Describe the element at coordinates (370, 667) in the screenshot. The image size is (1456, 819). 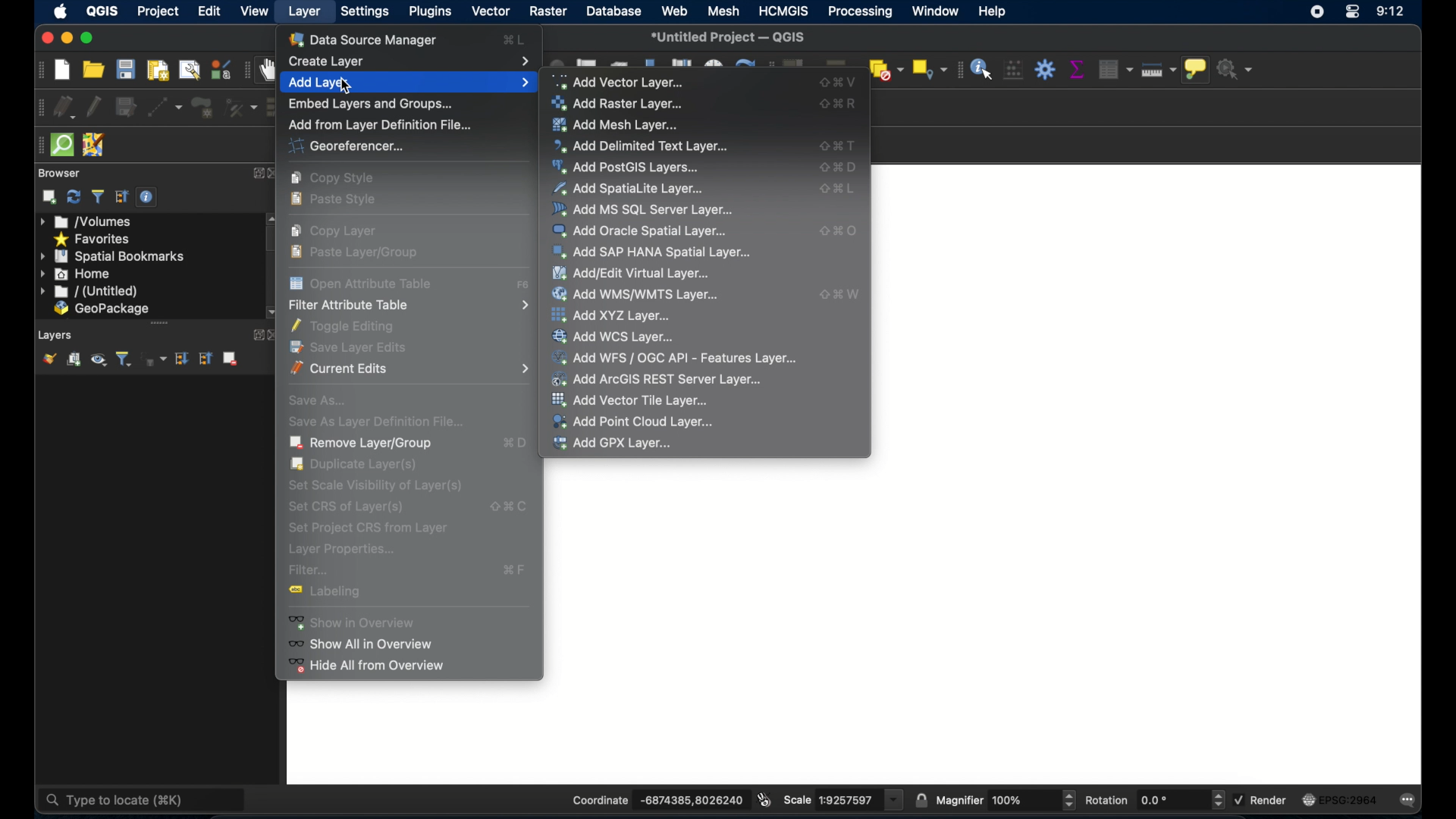
I see `Hide all from overview` at that location.